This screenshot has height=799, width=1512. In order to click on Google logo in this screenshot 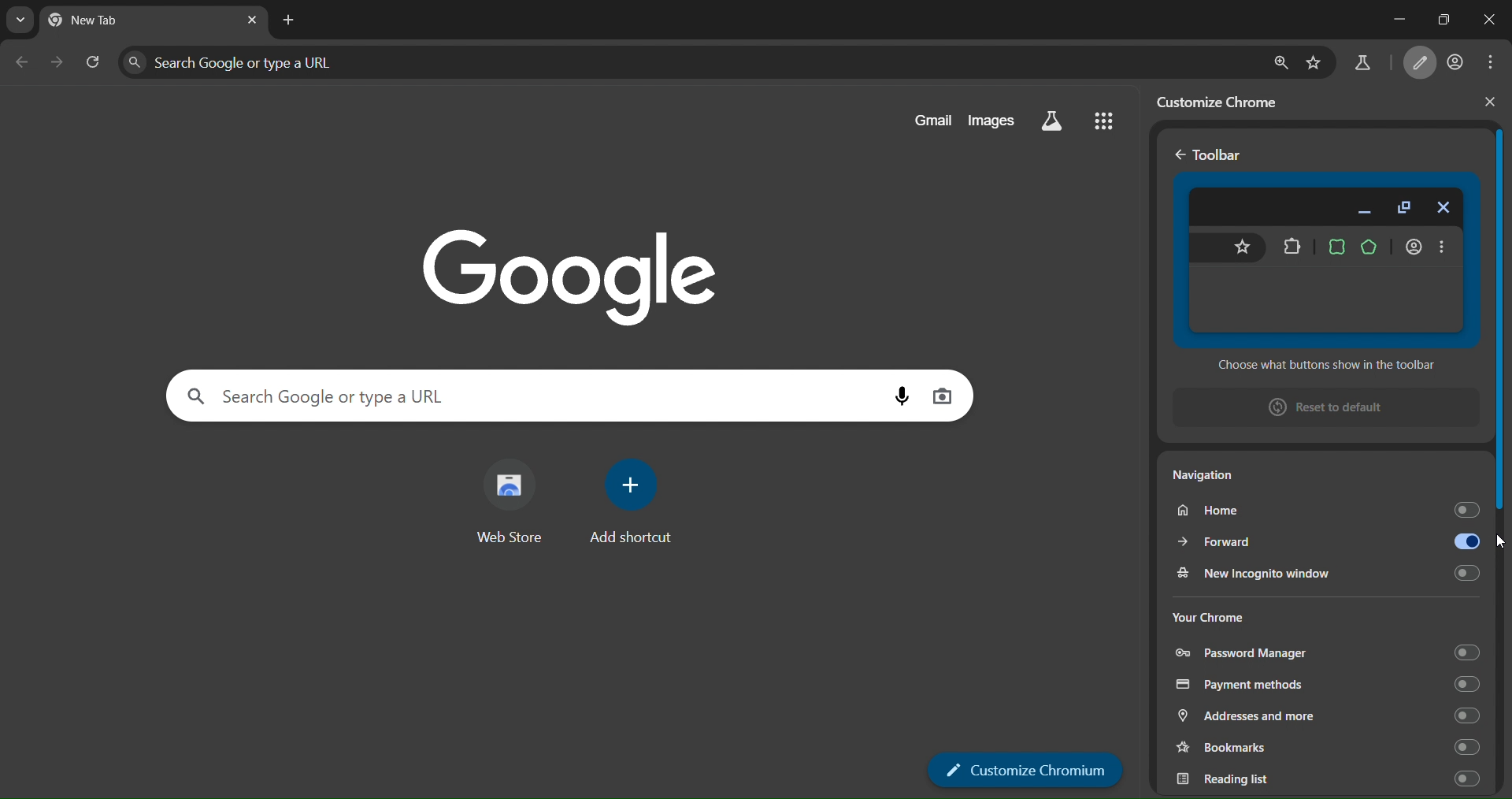, I will do `click(568, 273)`.